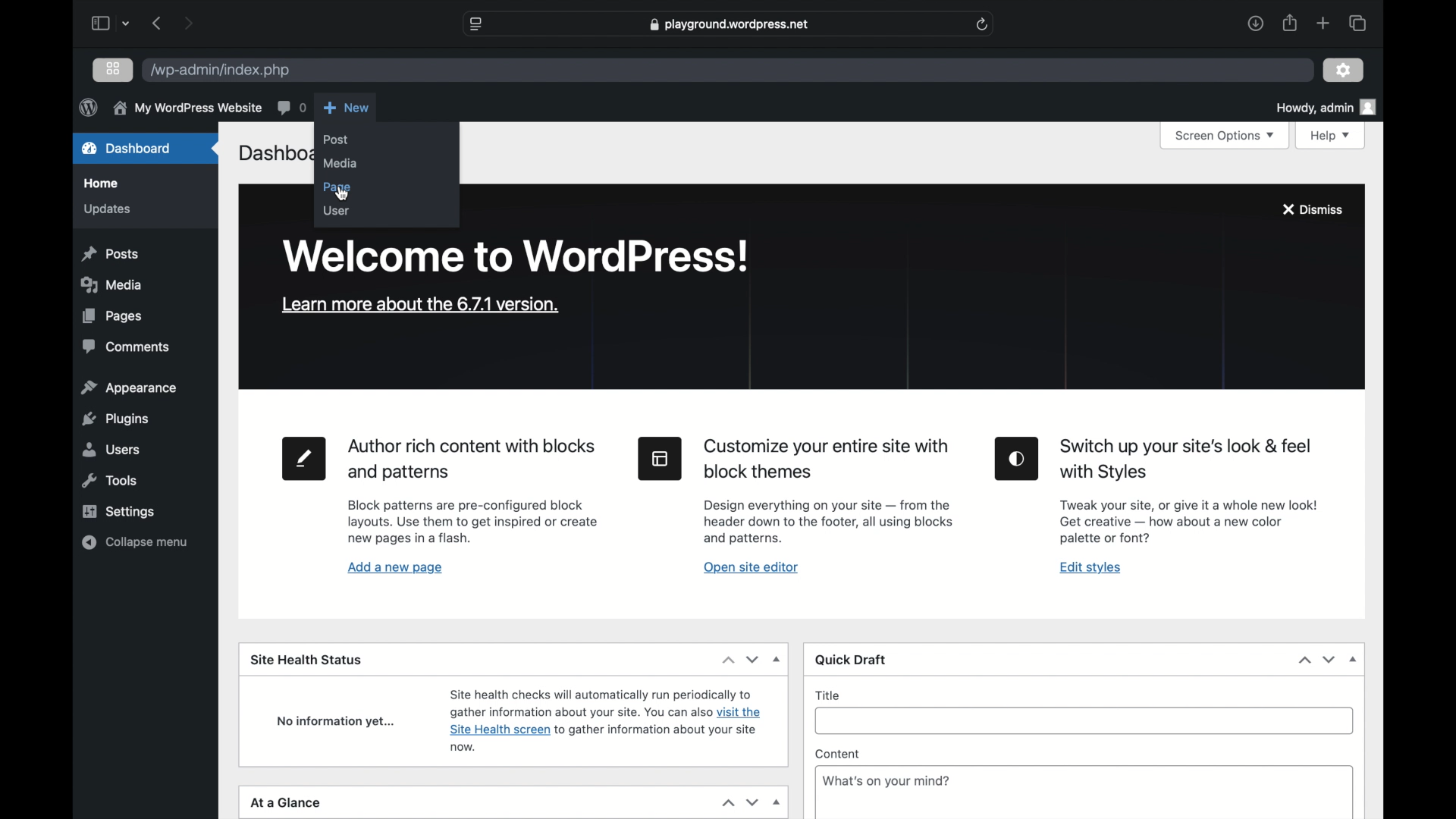 Image resolution: width=1456 pixels, height=819 pixels. What do you see at coordinates (778, 659) in the screenshot?
I see `dropdown` at bounding box center [778, 659].